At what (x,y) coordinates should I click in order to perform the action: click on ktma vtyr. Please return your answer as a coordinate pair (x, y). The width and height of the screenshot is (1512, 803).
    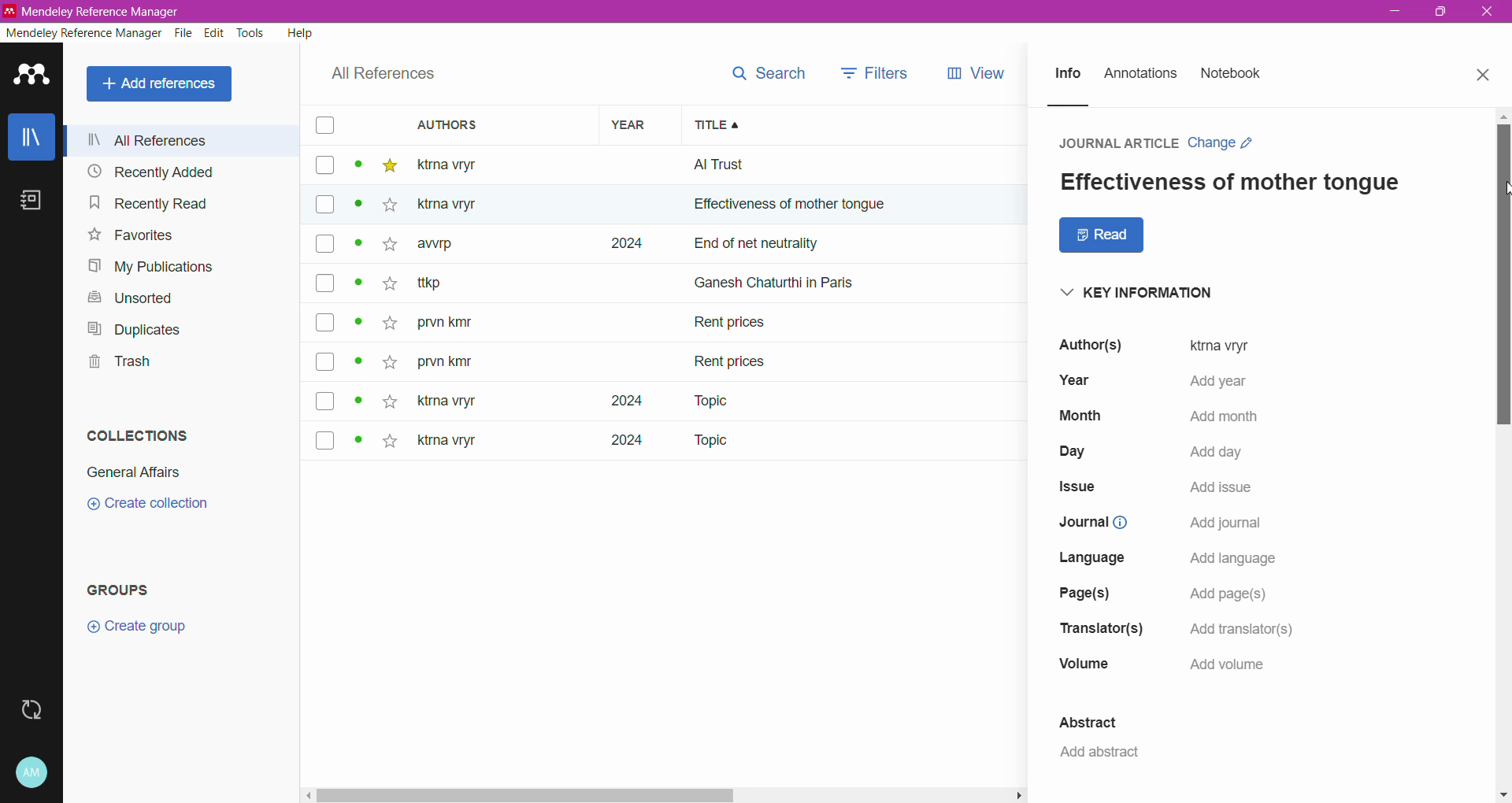
    Looking at the image, I should click on (458, 164).